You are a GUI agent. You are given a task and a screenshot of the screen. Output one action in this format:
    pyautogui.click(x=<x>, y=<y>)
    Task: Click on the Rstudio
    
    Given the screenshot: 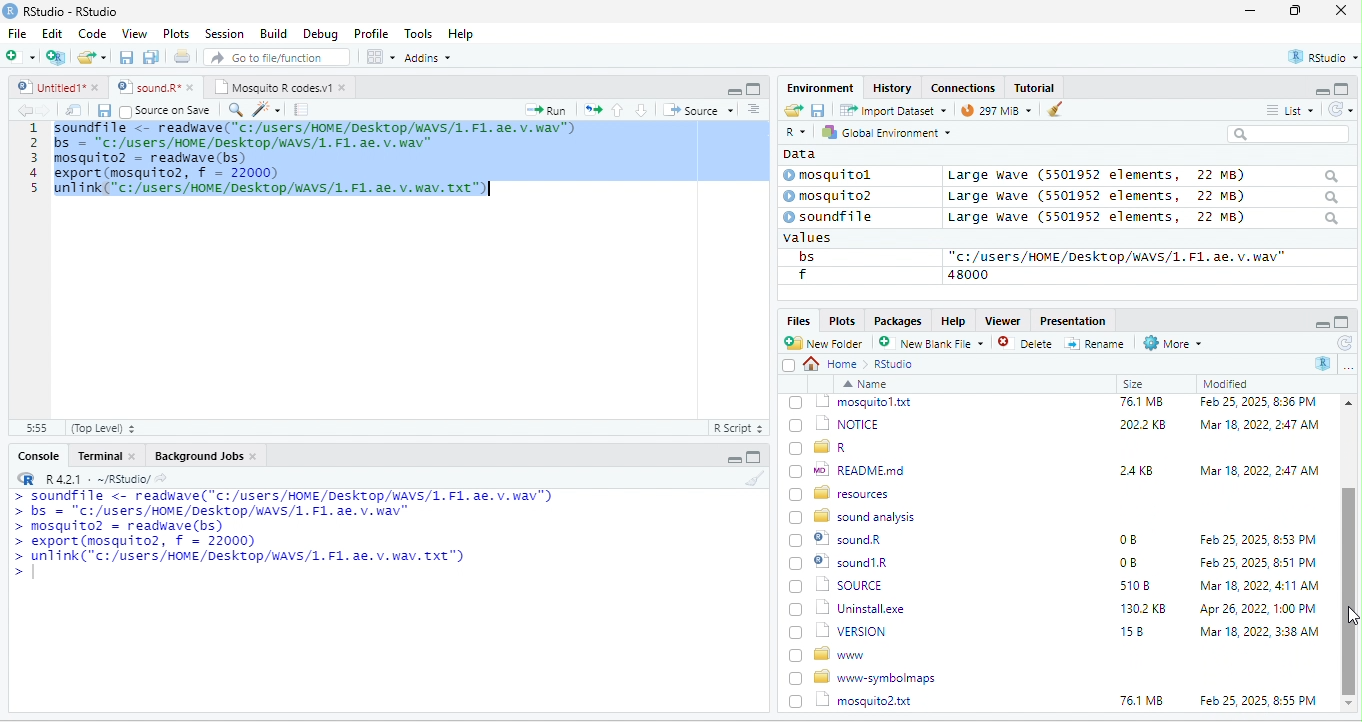 What is the action you would take?
    pyautogui.click(x=895, y=364)
    